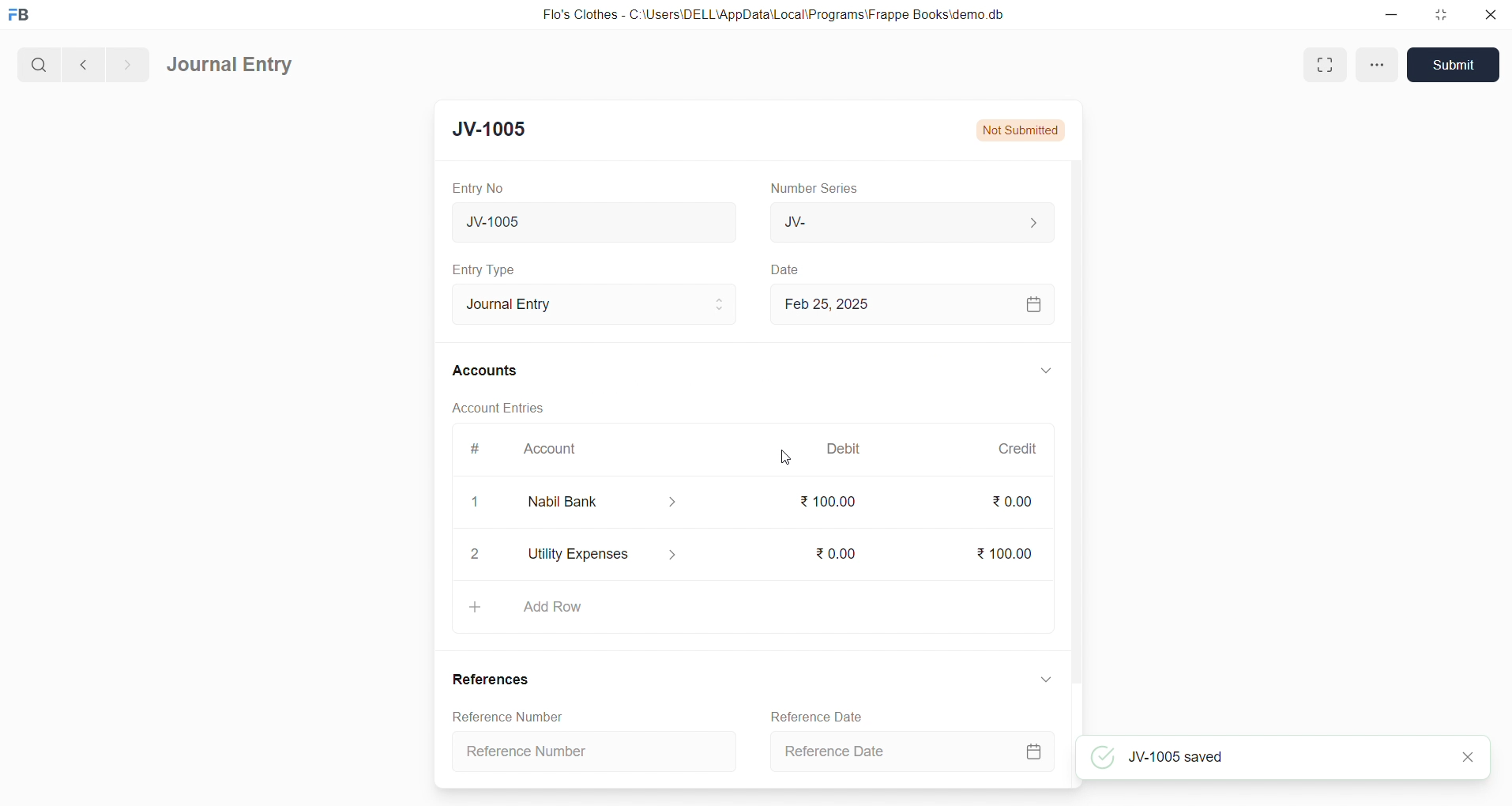 The height and width of the screenshot is (806, 1512). I want to click on expand/collapse, so click(1040, 682).